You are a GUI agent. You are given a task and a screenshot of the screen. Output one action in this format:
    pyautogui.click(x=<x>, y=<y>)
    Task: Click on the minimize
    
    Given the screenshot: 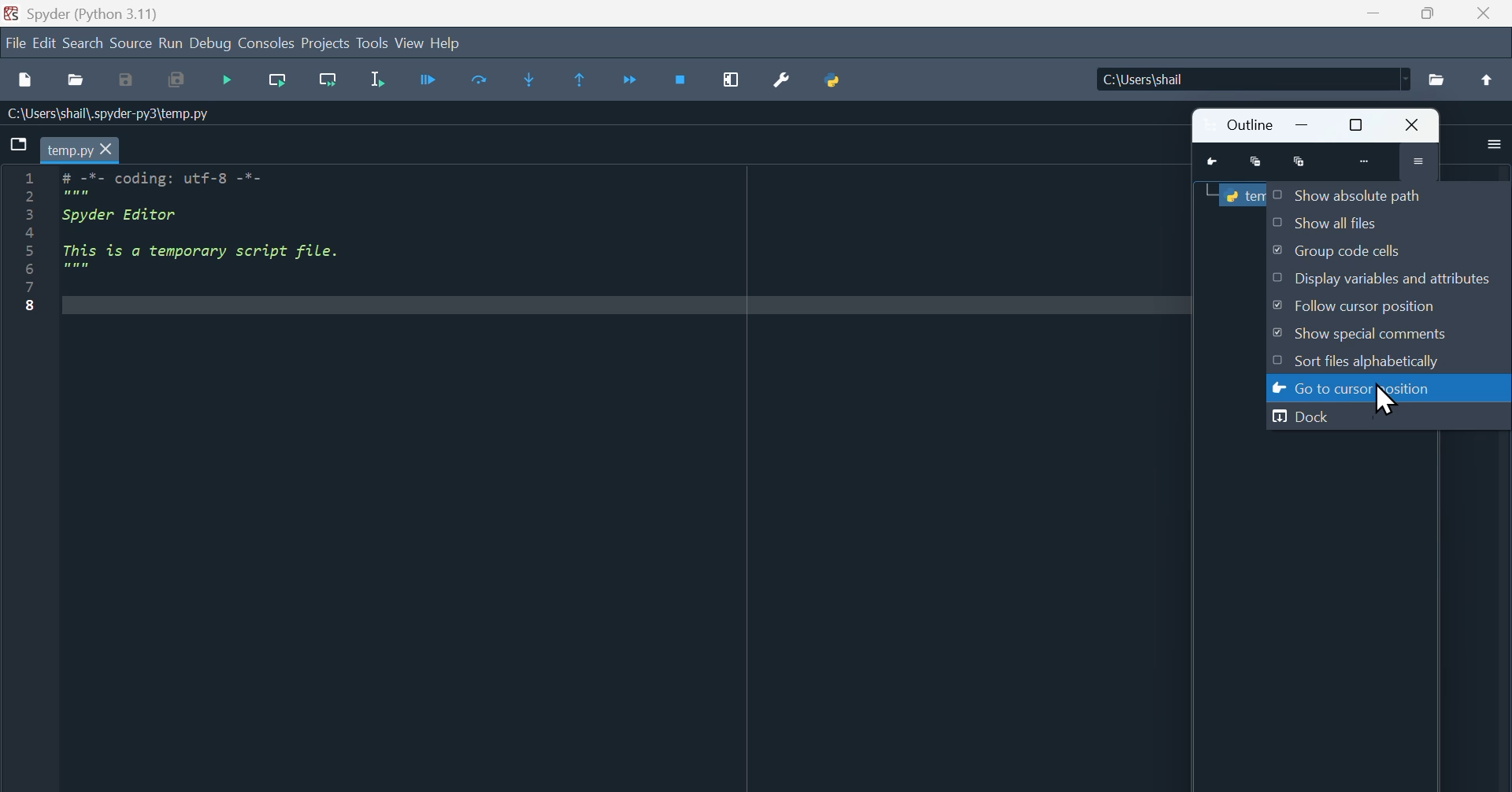 What is the action you would take?
    pyautogui.click(x=1374, y=13)
    